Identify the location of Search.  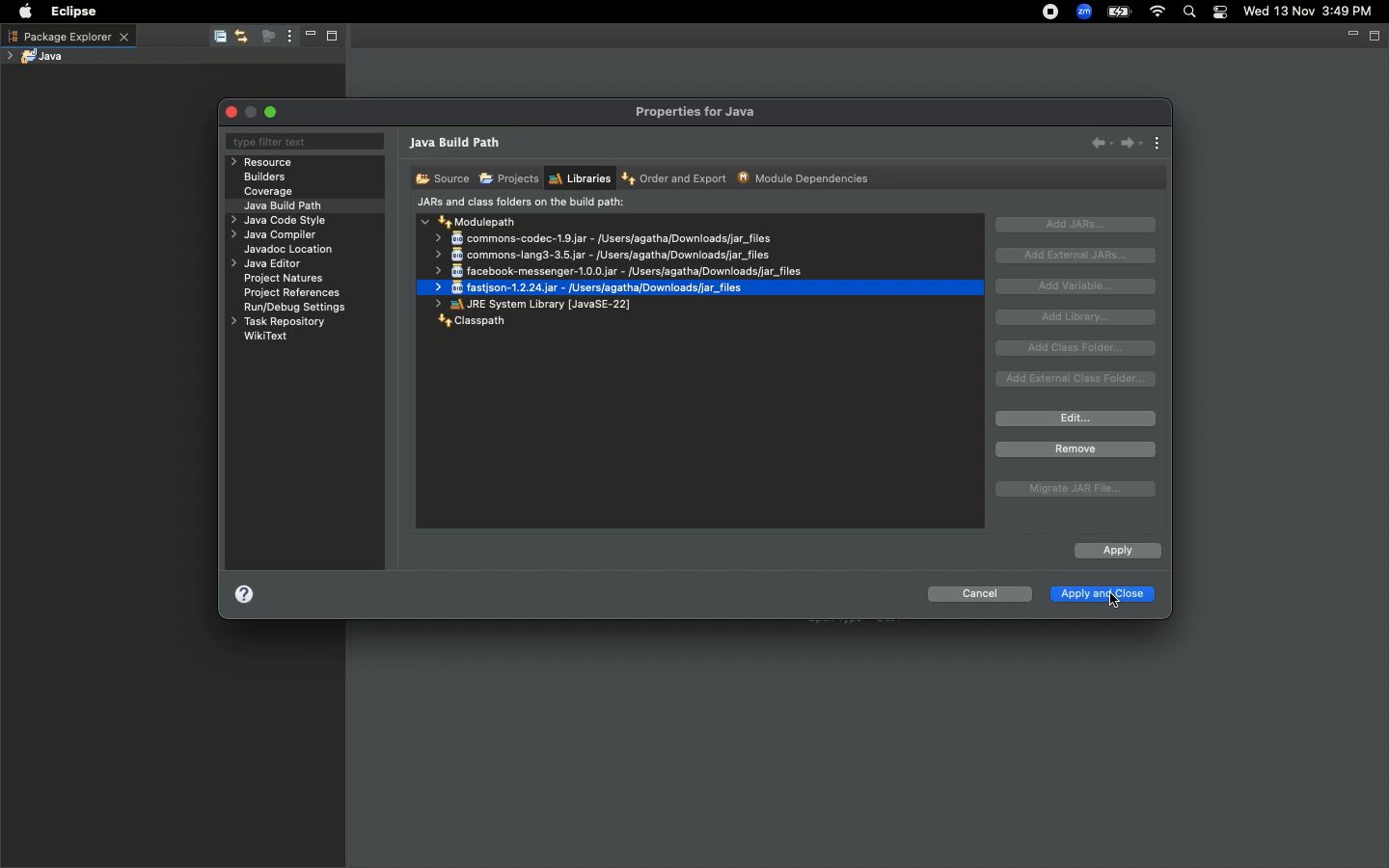
(1190, 14).